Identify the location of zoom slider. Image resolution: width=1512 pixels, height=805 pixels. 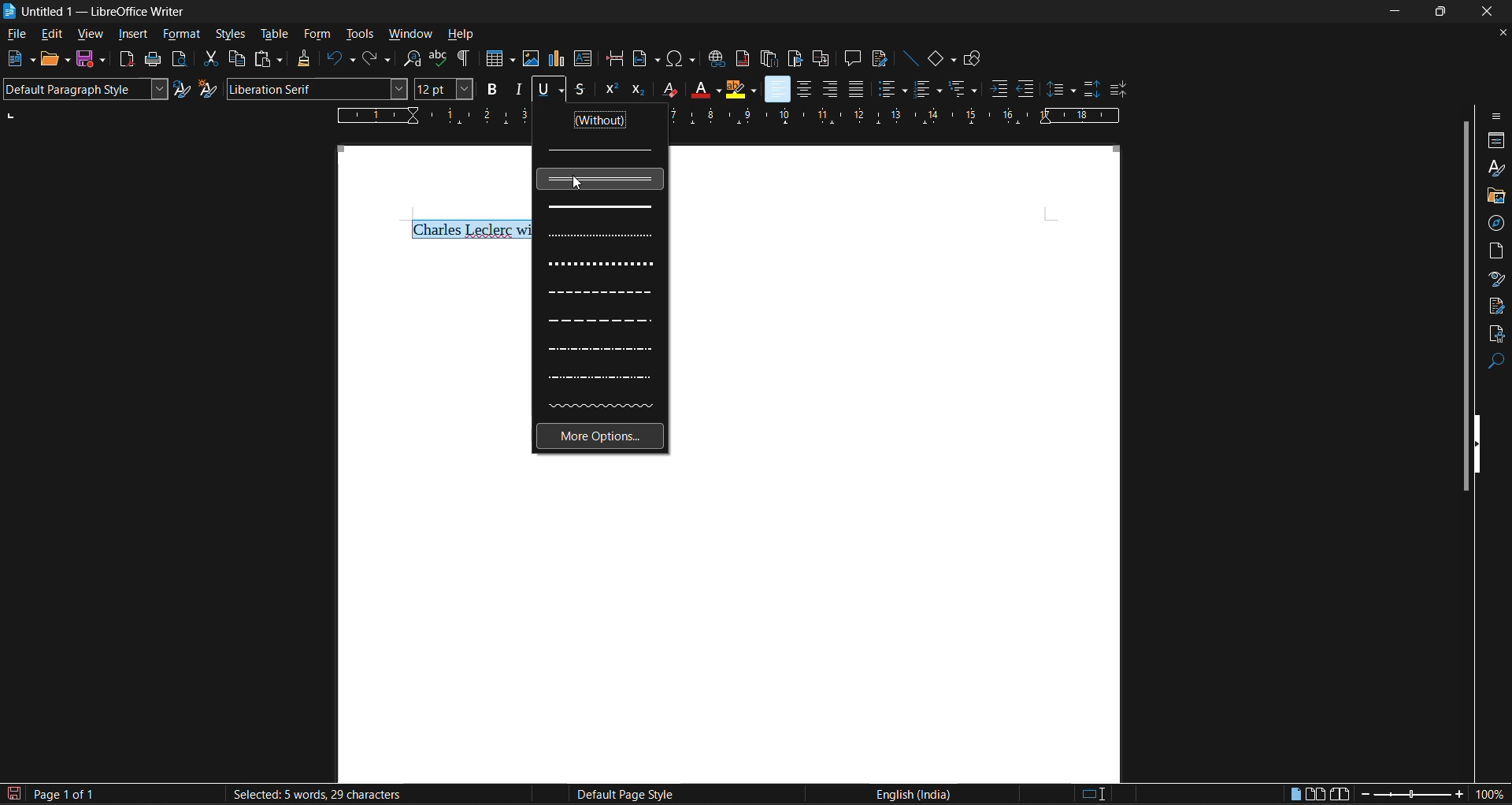
(1410, 796).